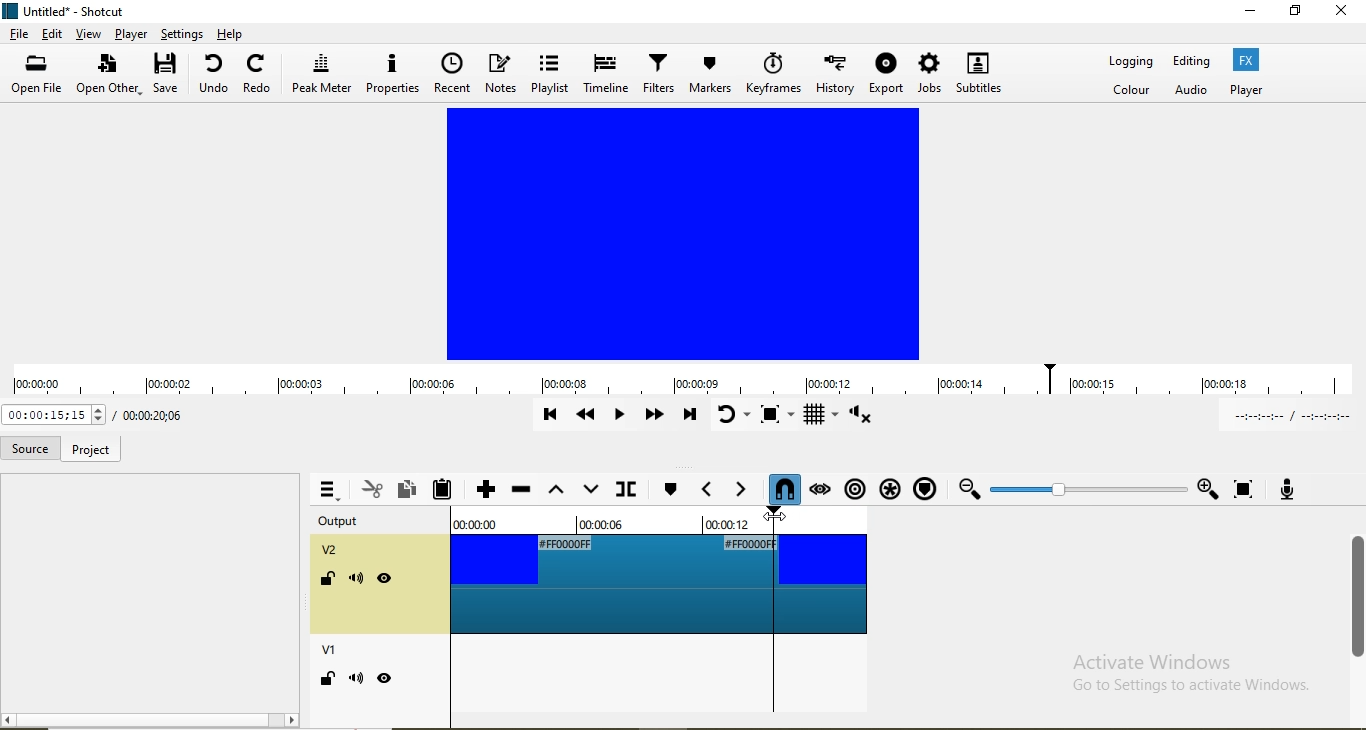 The height and width of the screenshot is (730, 1366). What do you see at coordinates (969, 488) in the screenshot?
I see `Zoom out` at bounding box center [969, 488].